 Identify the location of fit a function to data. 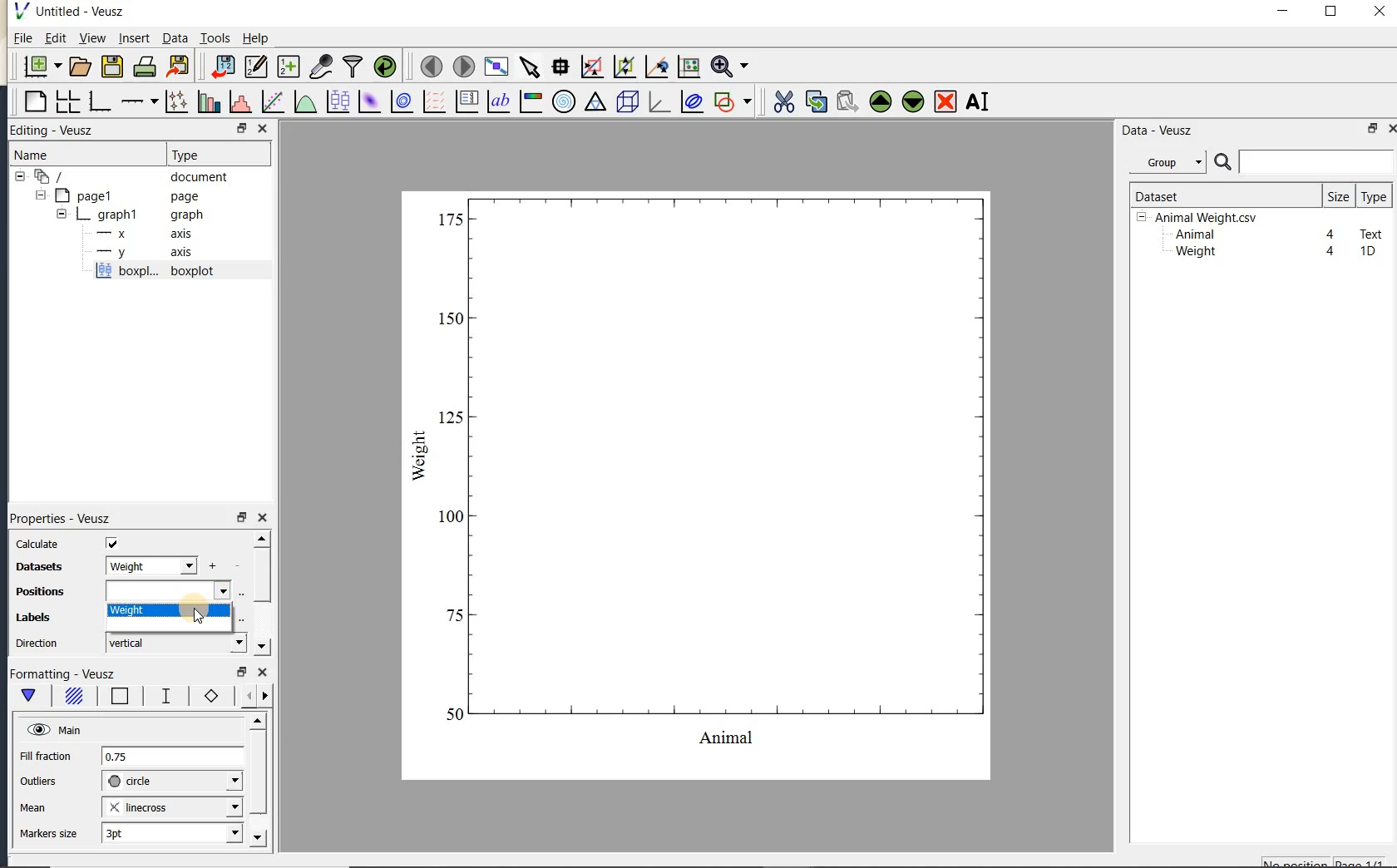
(272, 101).